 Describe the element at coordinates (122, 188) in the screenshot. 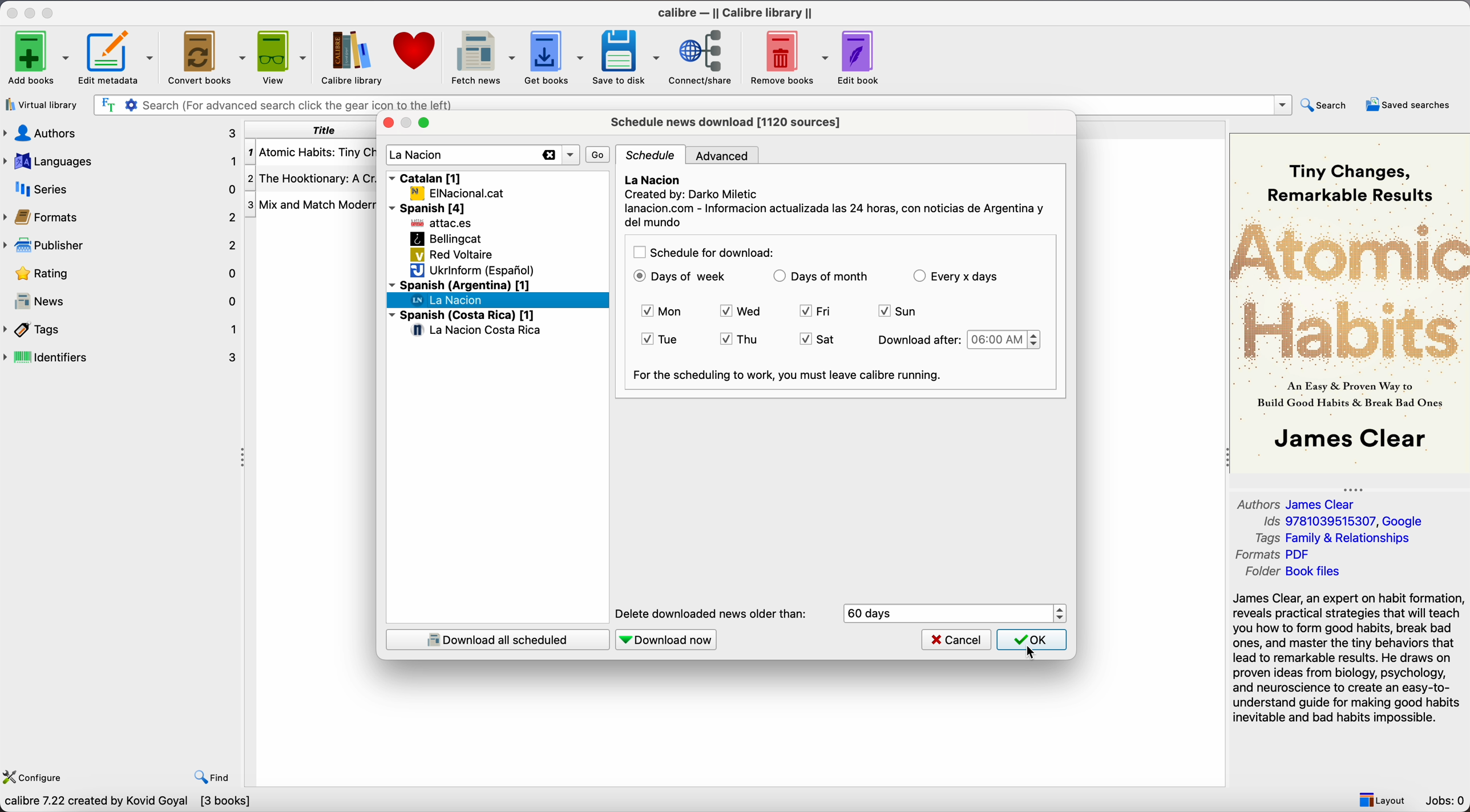

I see `series` at that location.